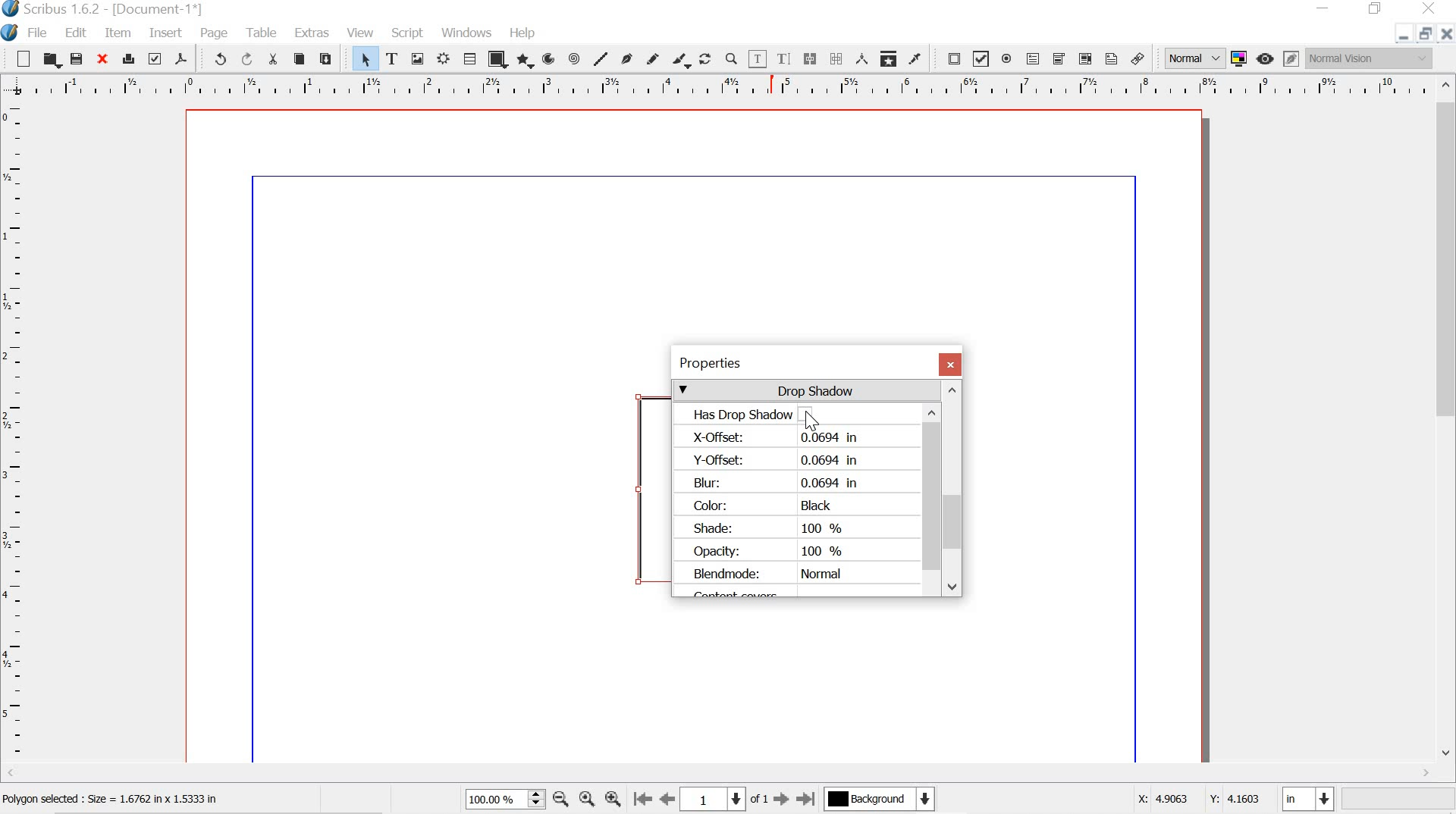 The width and height of the screenshot is (1456, 814). What do you see at coordinates (953, 488) in the screenshot?
I see `scrollbar` at bounding box center [953, 488].